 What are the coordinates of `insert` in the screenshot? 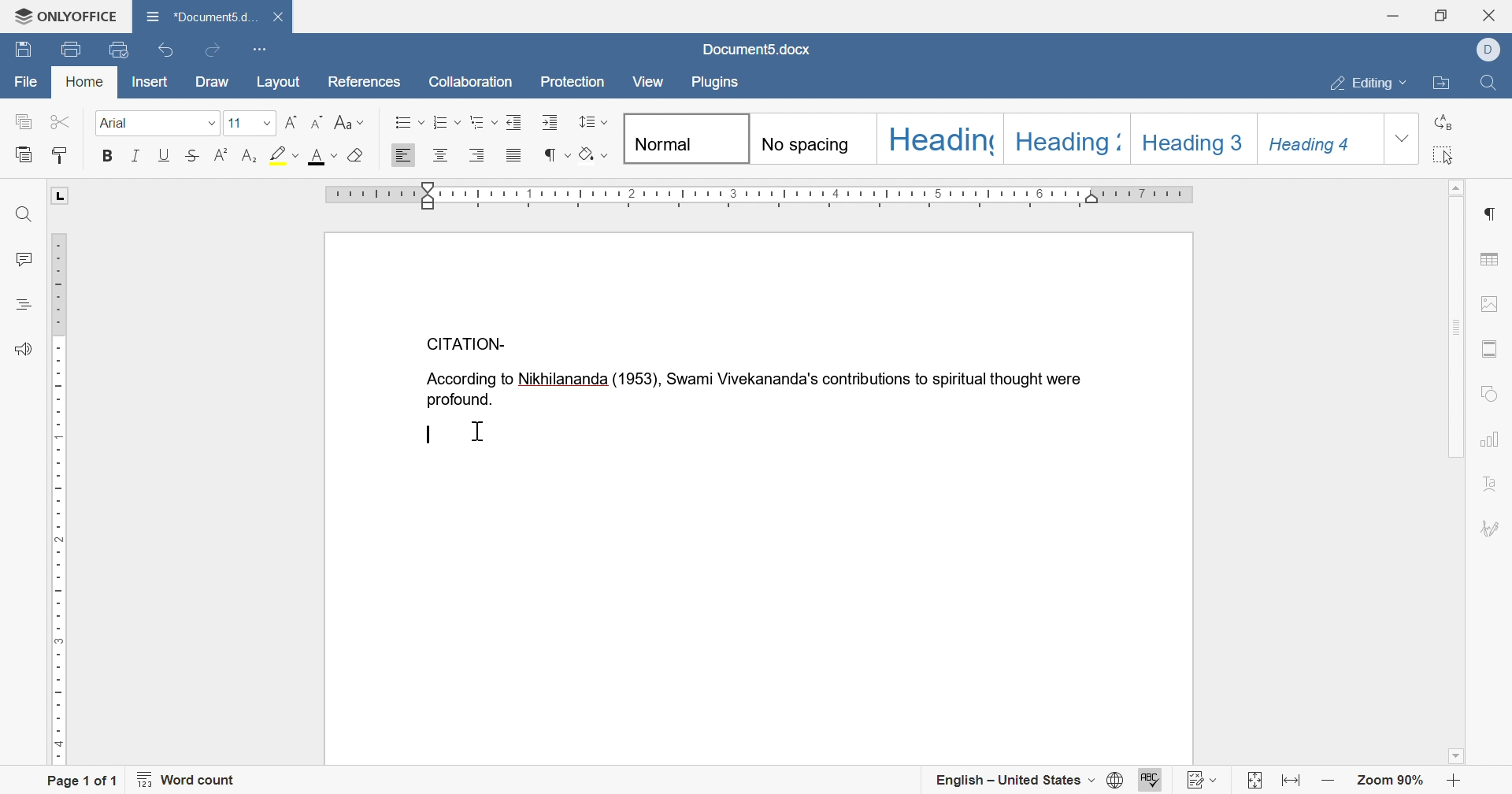 It's located at (153, 82).